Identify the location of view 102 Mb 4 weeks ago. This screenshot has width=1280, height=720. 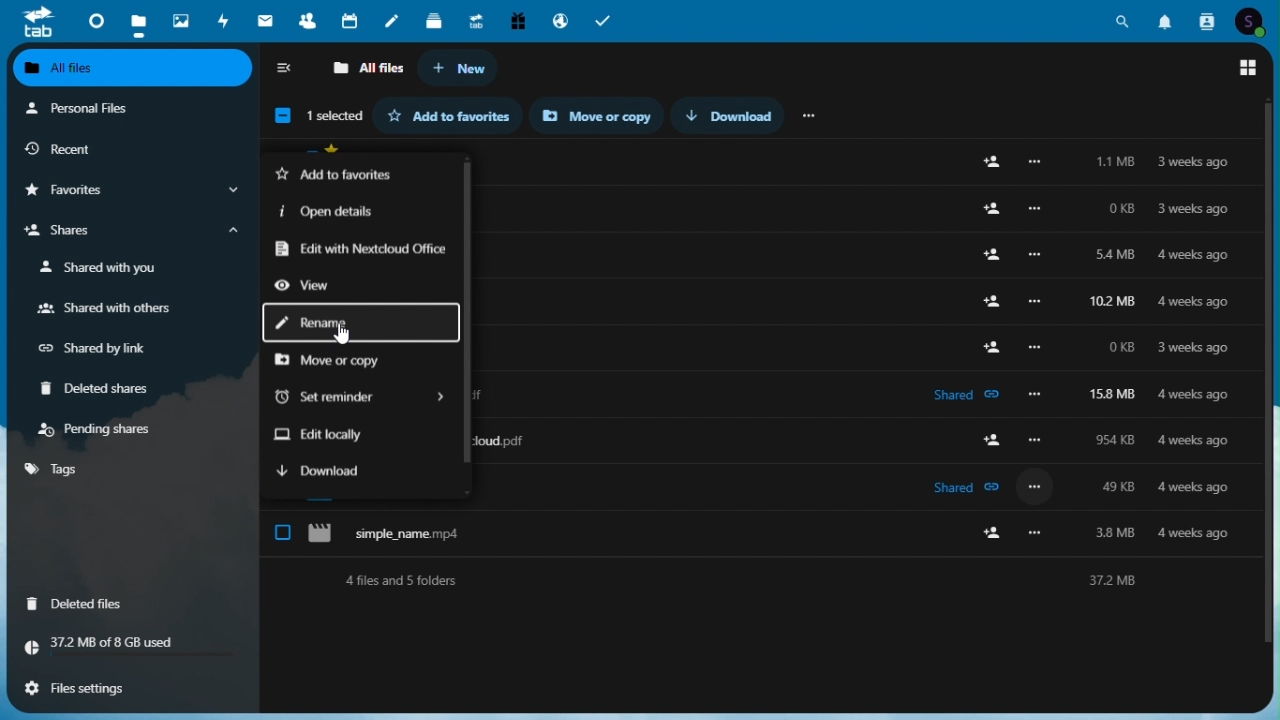
(757, 289).